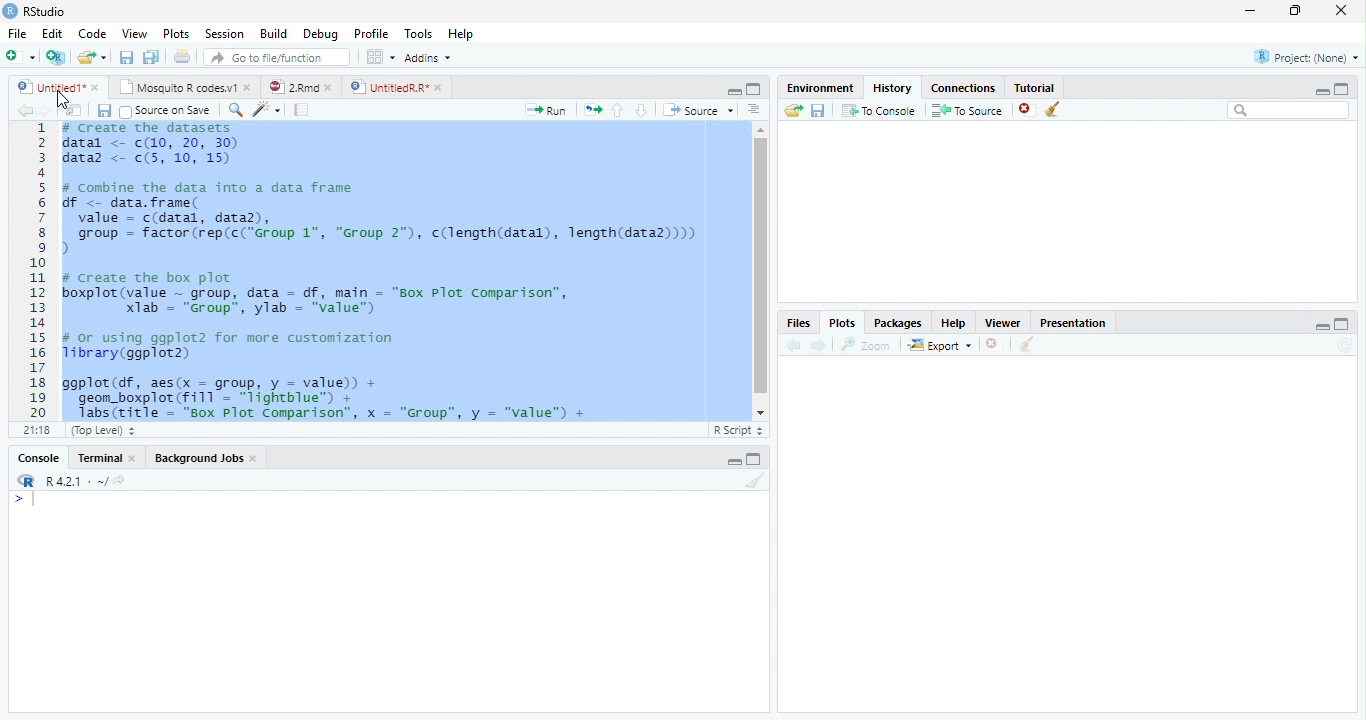 The width and height of the screenshot is (1366, 720). What do you see at coordinates (388, 88) in the screenshot?
I see `UntitledR.R*` at bounding box center [388, 88].